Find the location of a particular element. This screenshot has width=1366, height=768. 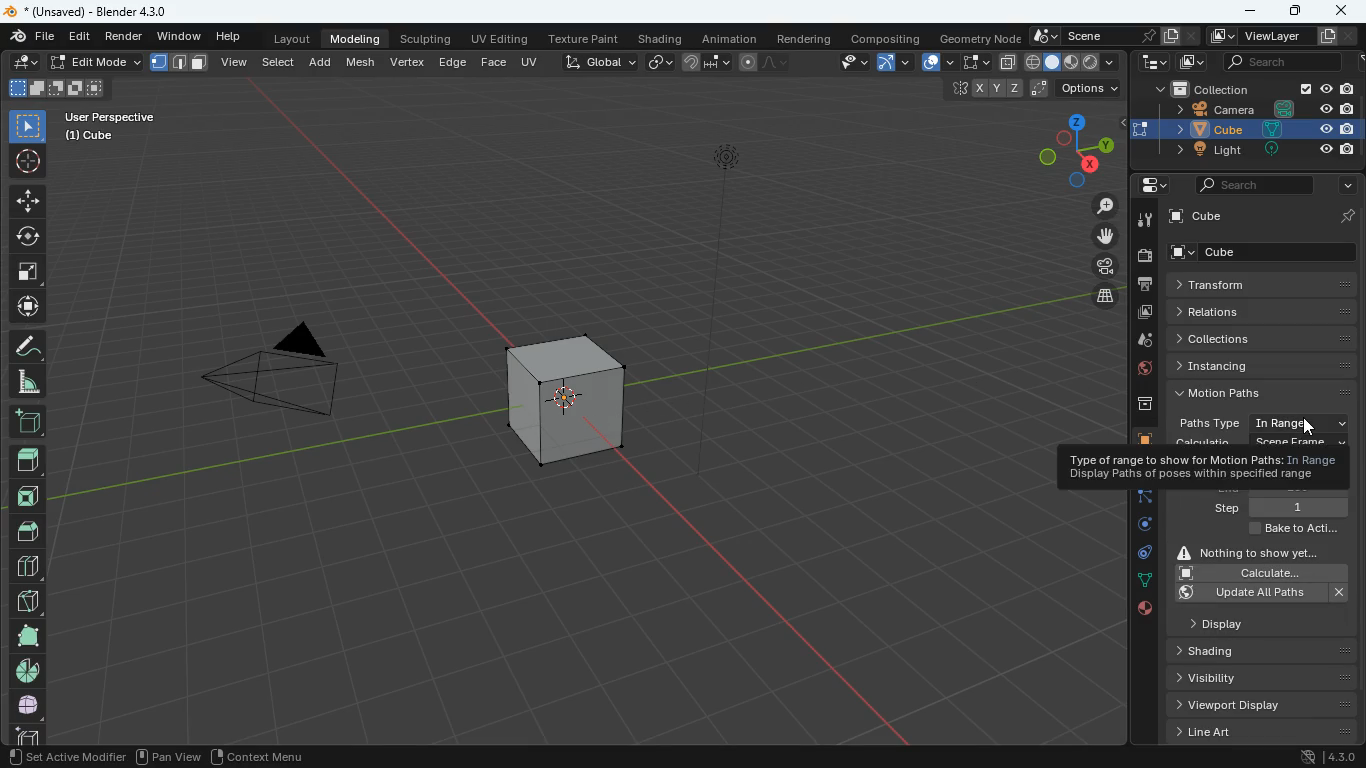

move is located at coordinates (27, 200).